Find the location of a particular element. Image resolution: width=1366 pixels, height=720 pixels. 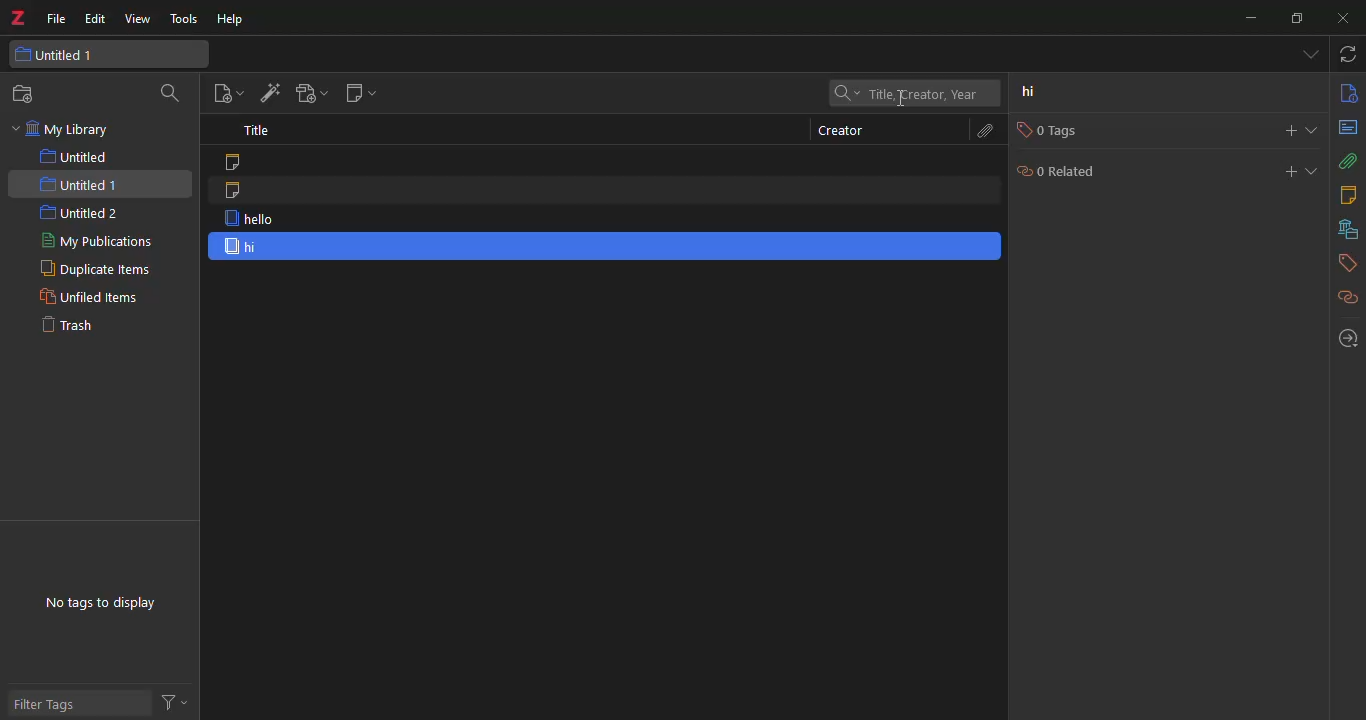

cursor is located at coordinates (903, 103).